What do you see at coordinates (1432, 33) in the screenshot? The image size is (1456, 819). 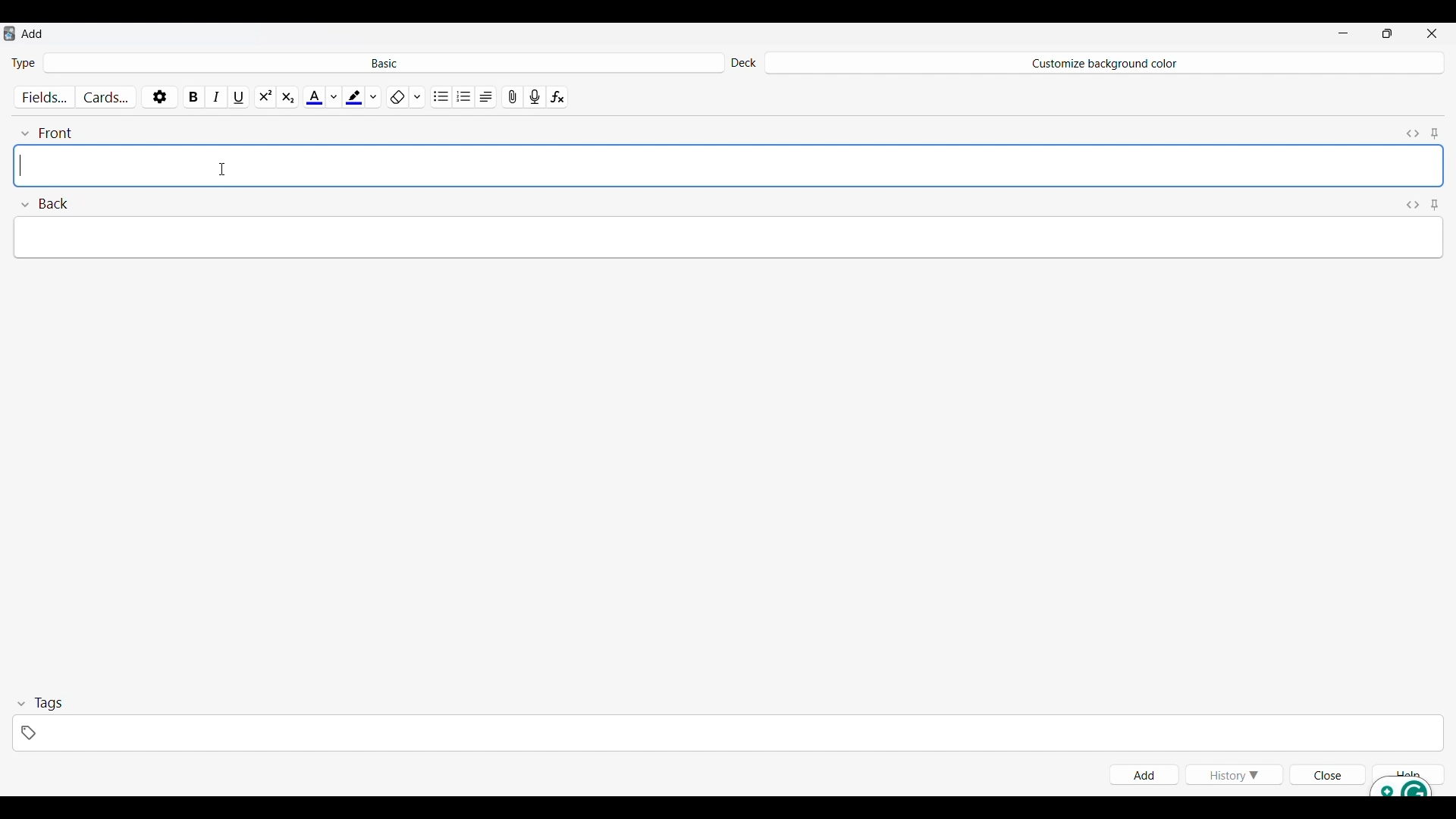 I see `Close interface` at bounding box center [1432, 33].